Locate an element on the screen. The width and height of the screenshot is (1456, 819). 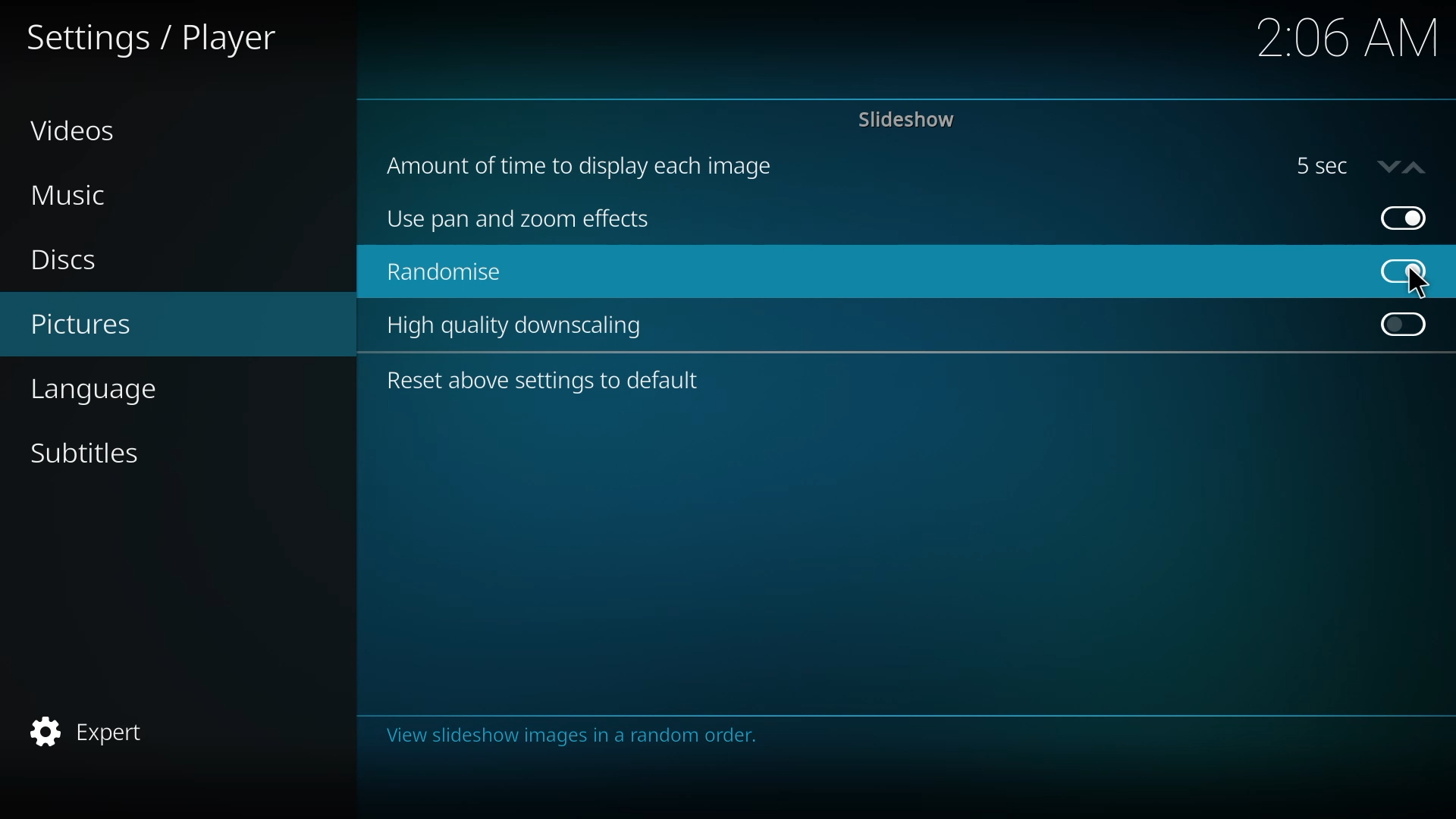
reset above settings to default is located at coordinates (546, 379).